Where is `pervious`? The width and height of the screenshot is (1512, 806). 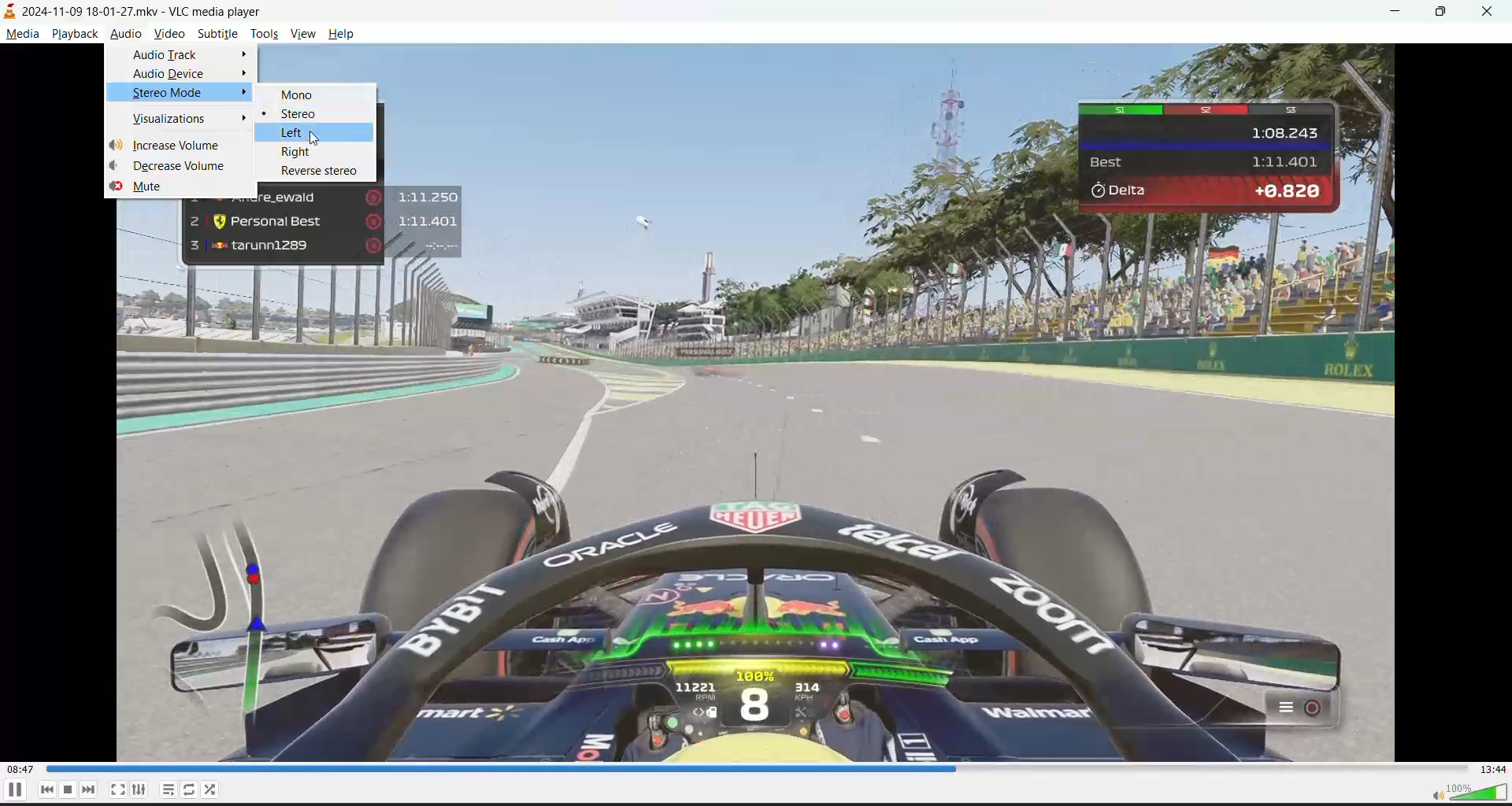 pervious is located at coordinates (46, 789).